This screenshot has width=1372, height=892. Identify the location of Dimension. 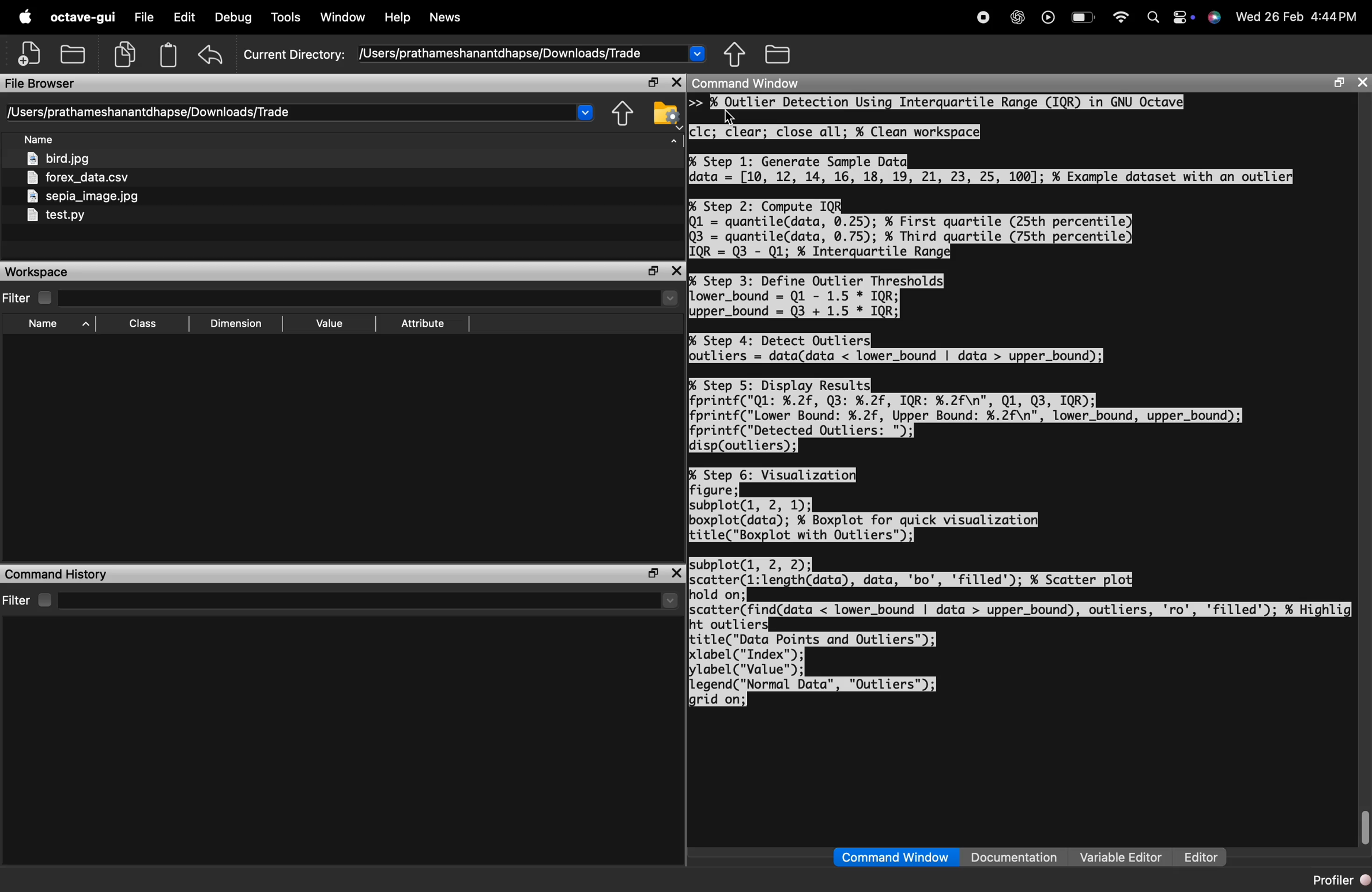
(236, 324).